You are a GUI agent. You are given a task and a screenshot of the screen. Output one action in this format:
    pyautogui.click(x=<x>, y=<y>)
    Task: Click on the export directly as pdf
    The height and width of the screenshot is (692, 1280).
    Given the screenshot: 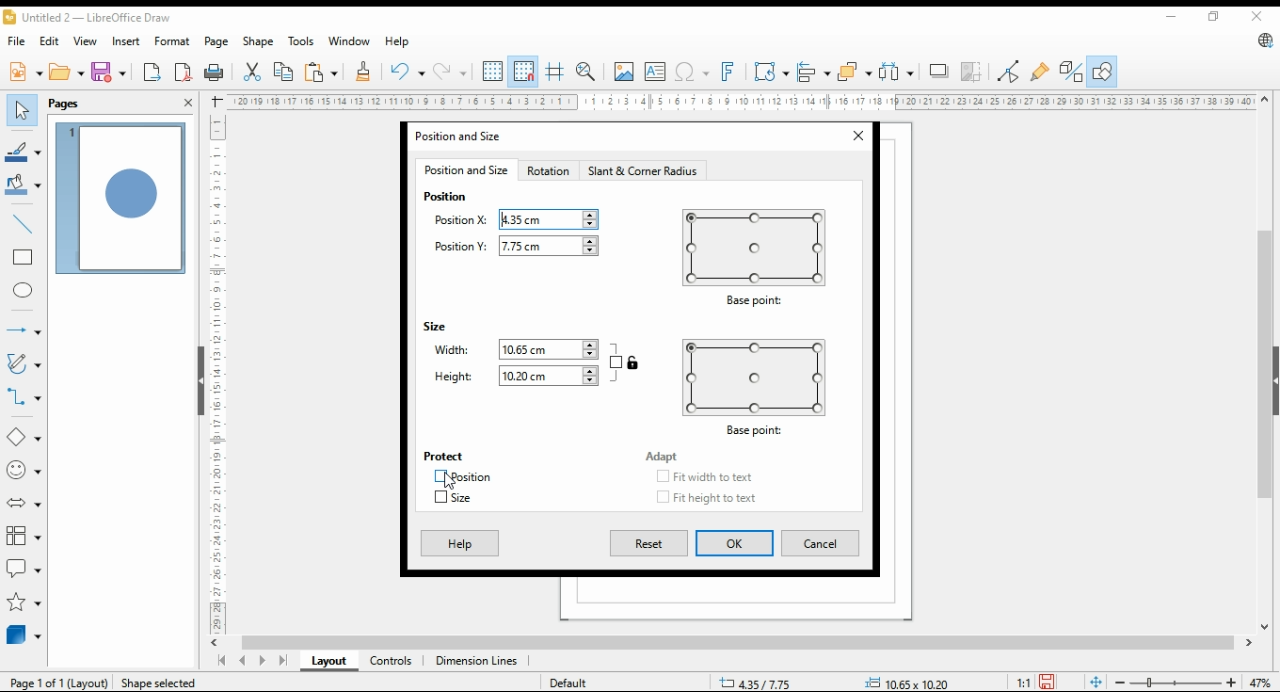 What is the action you would take?
    pyautogui.click(x=184, y=71)
    